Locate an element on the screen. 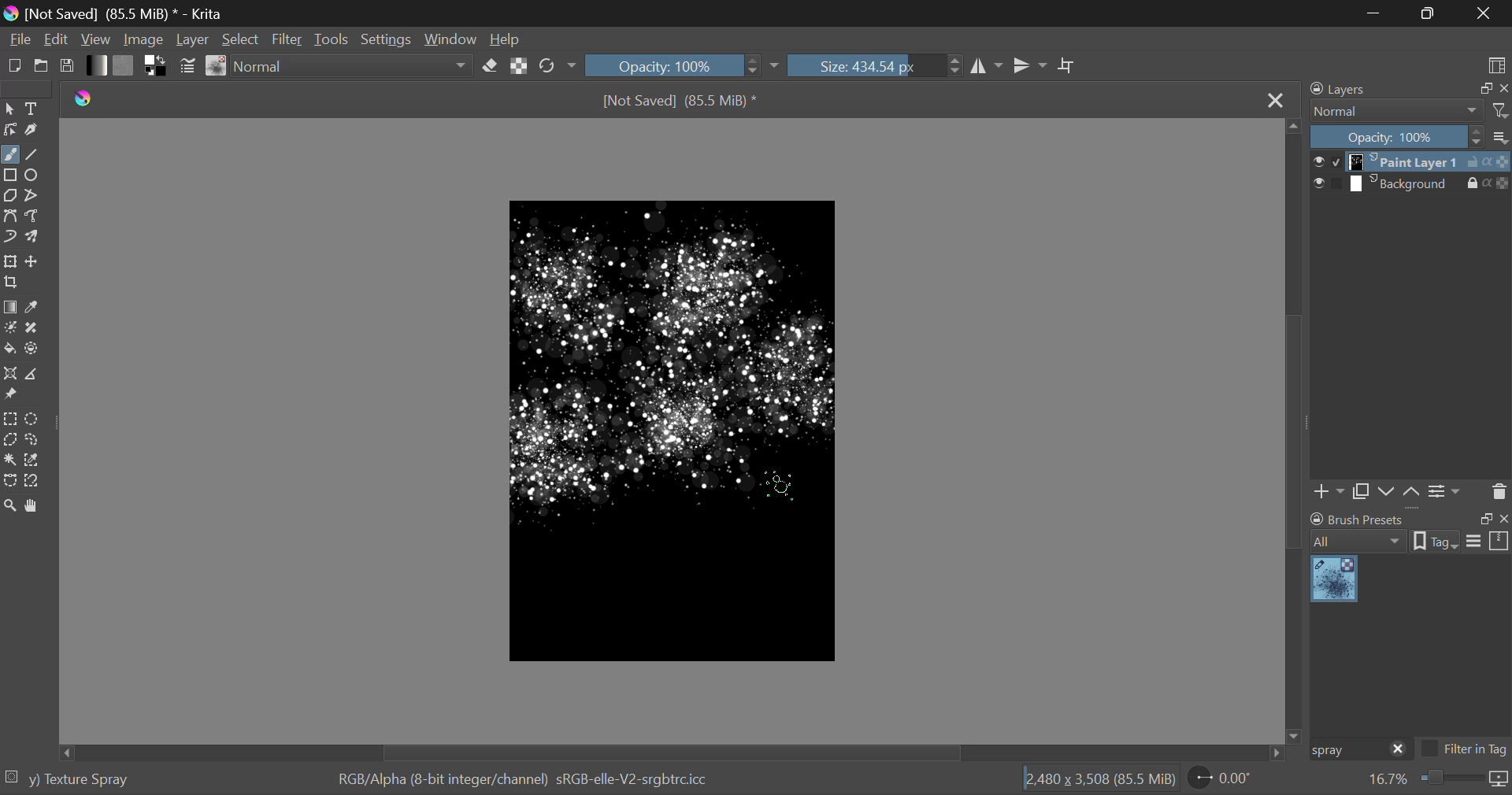 The height and width of the screenshot is (795, 1512). Tools is located at coordinates (334, 39).